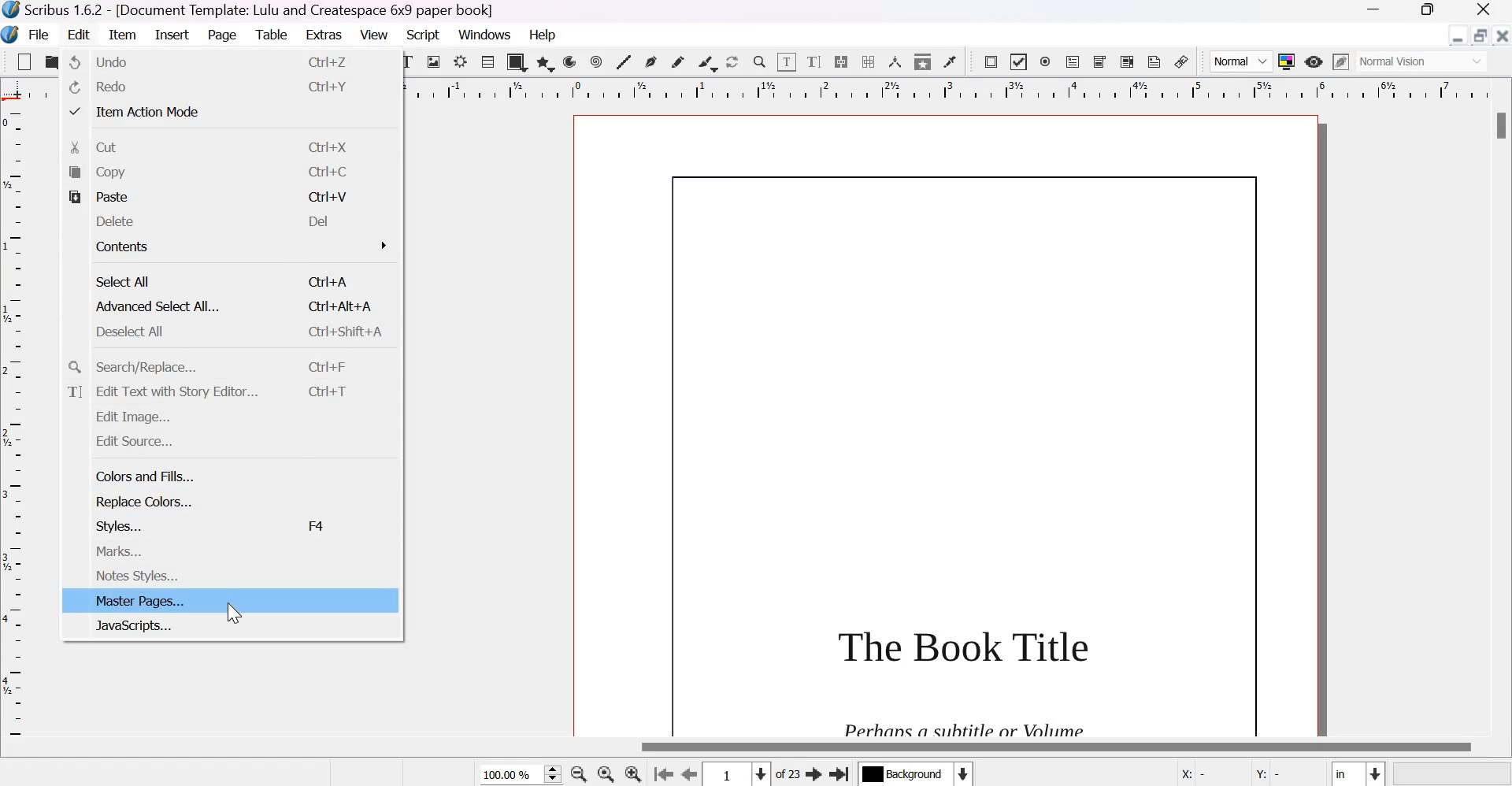  Describe the element at coordinates (81, 33) in the screenshot. I see `Edit` at that location.